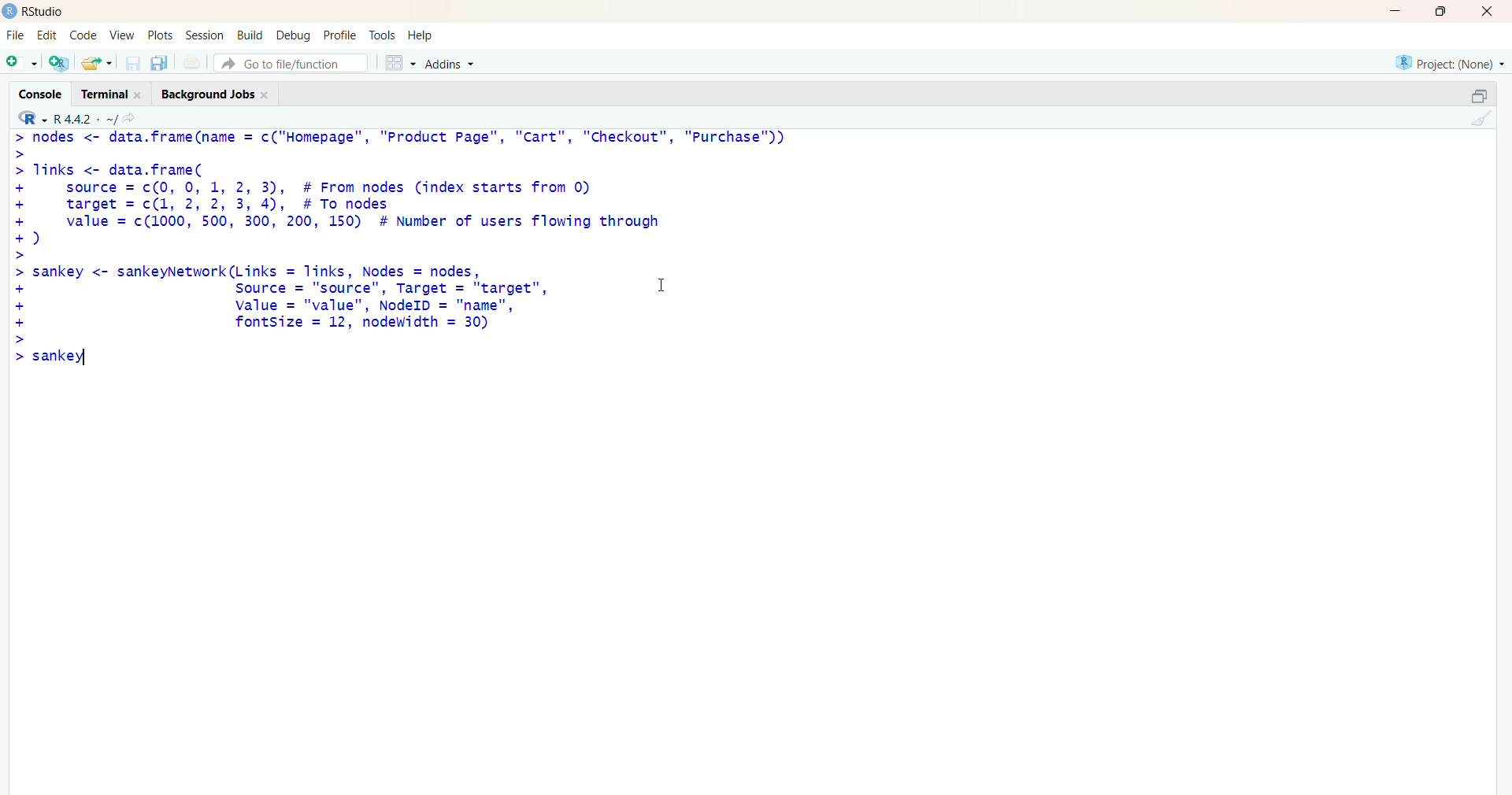 Image resolution: width=1512 pixels, height=795 pixels. What do you see at coordinates (131, 64) in the screenshot?
I see `save` at bounding box center [131, 64].